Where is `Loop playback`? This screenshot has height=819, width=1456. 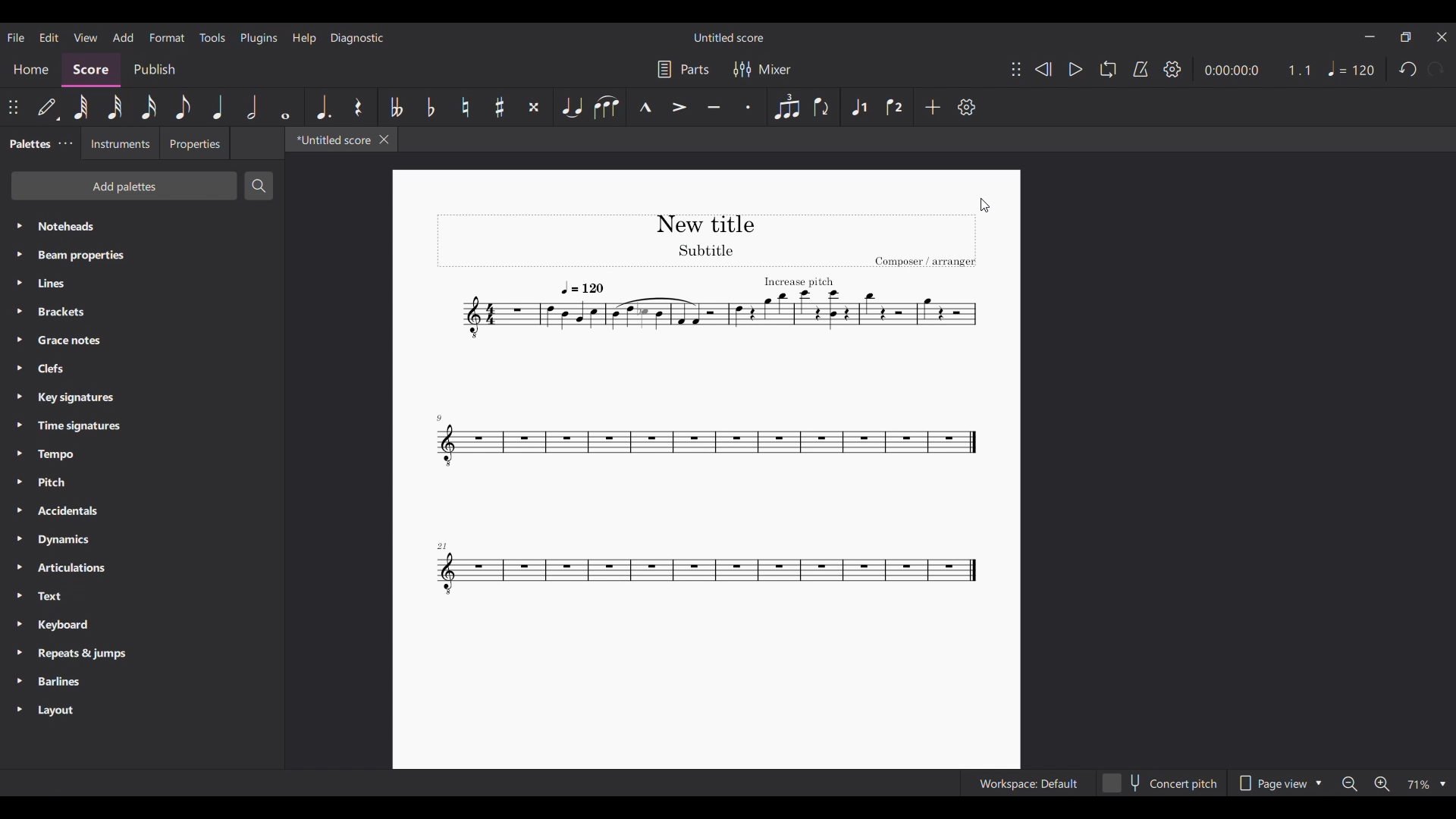
Loop playback is located at coordinates (1108, 69).